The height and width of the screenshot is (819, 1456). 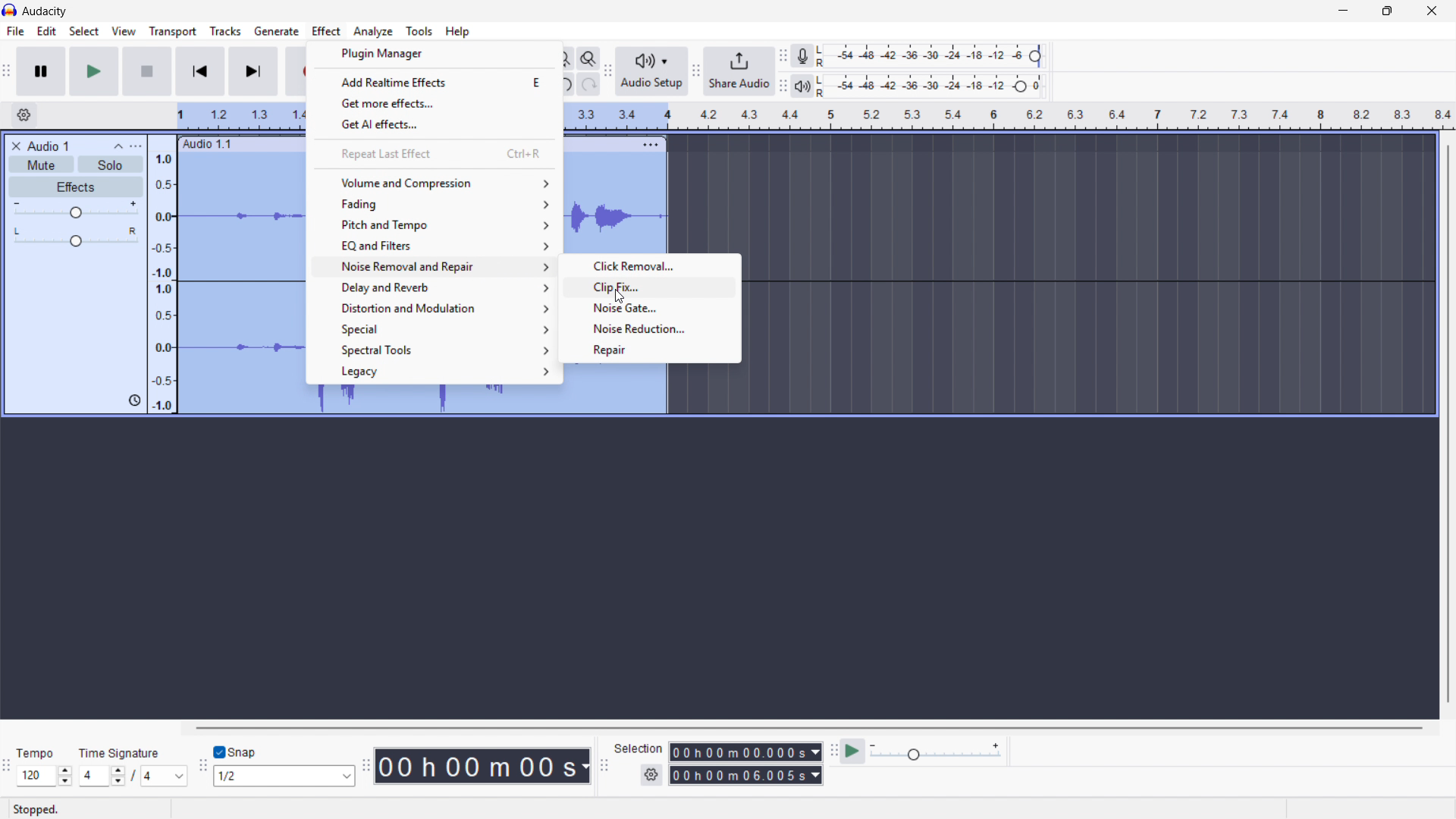 What do you see at coordinates (435, 203) in the screenshot?
I see `Fading ` at bounding box center [435, 203].